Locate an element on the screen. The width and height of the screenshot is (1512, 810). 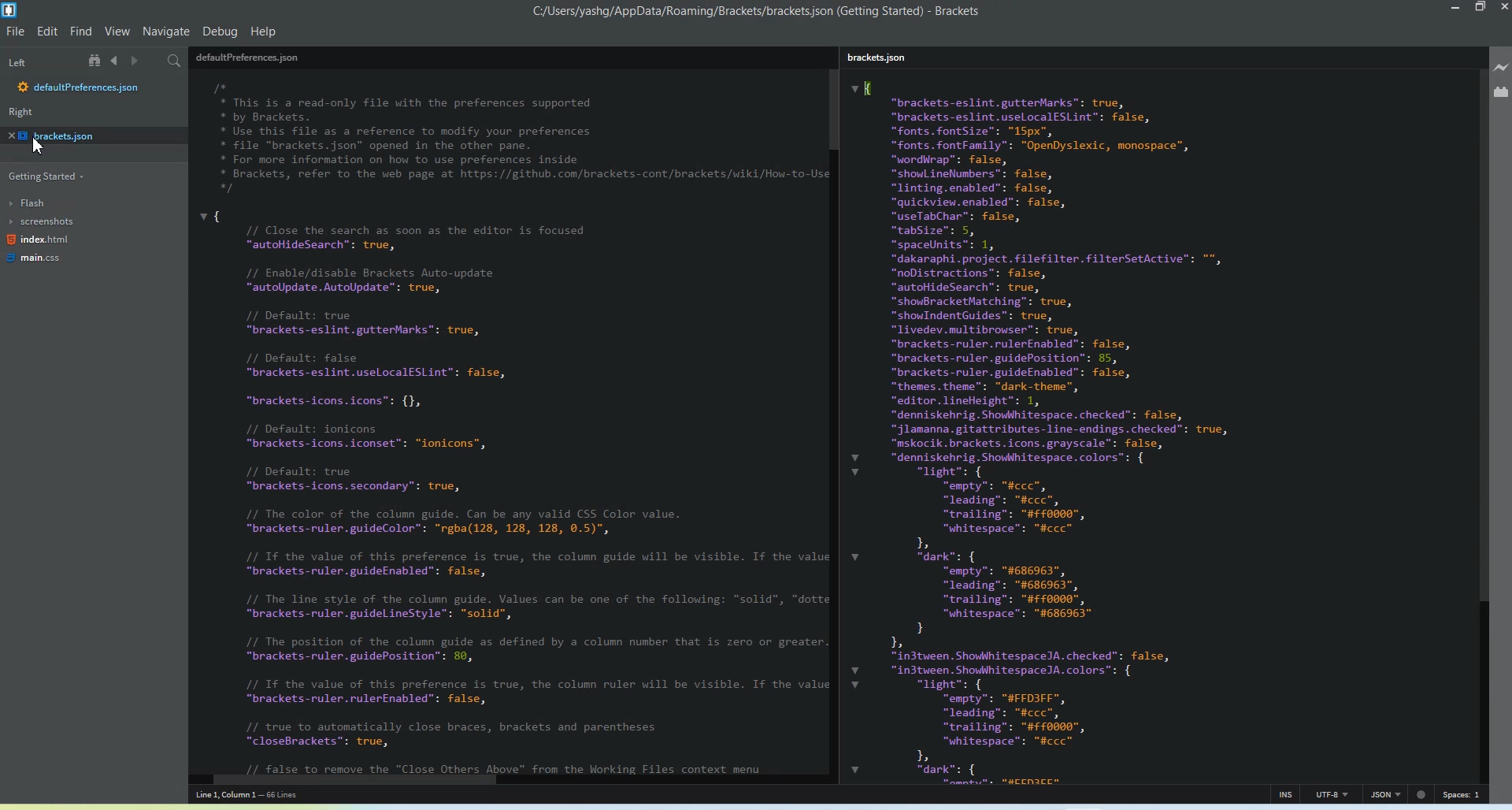
Find is located at coordinates (82, 32).